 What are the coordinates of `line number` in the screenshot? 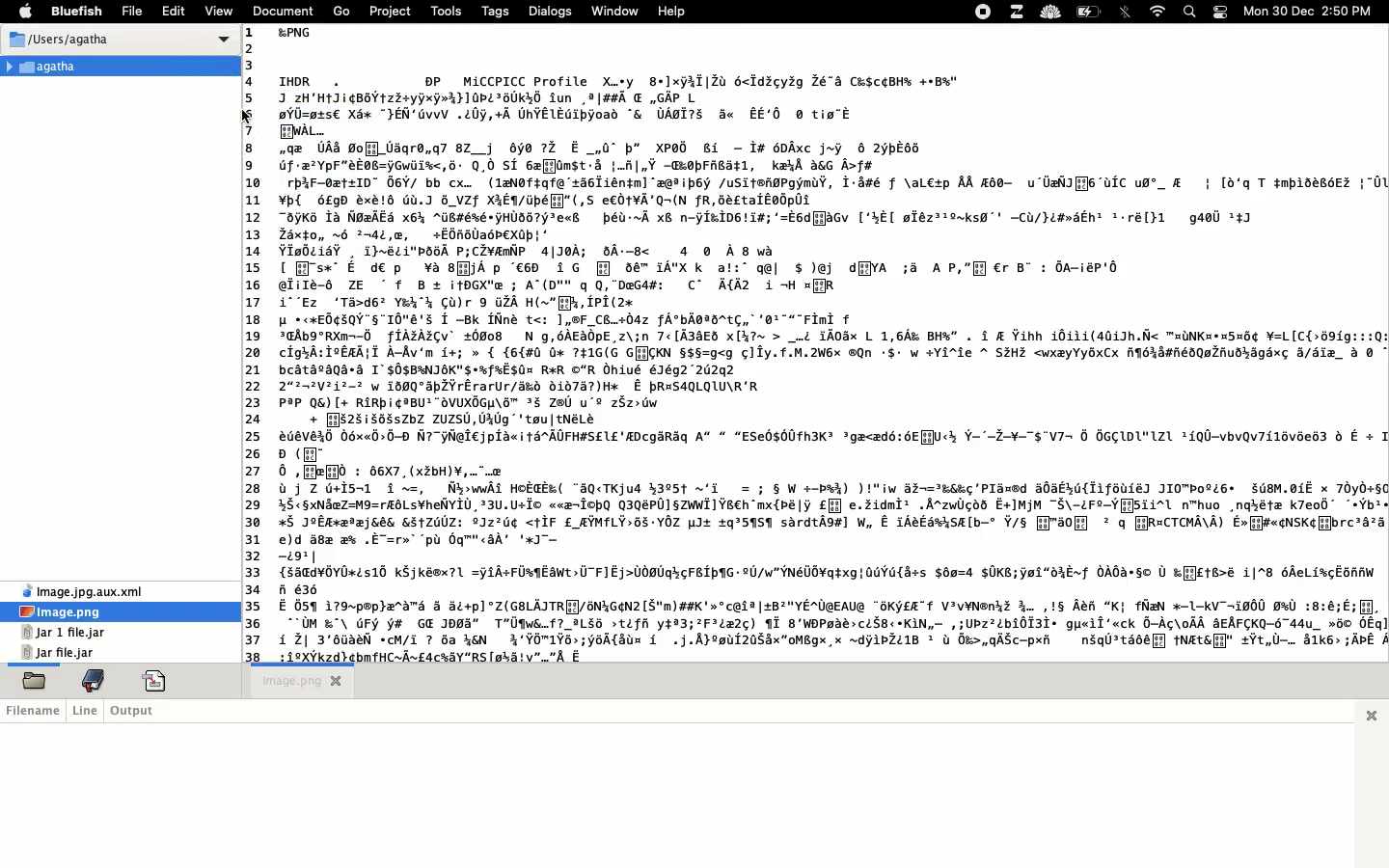 It's located at (254, 340).